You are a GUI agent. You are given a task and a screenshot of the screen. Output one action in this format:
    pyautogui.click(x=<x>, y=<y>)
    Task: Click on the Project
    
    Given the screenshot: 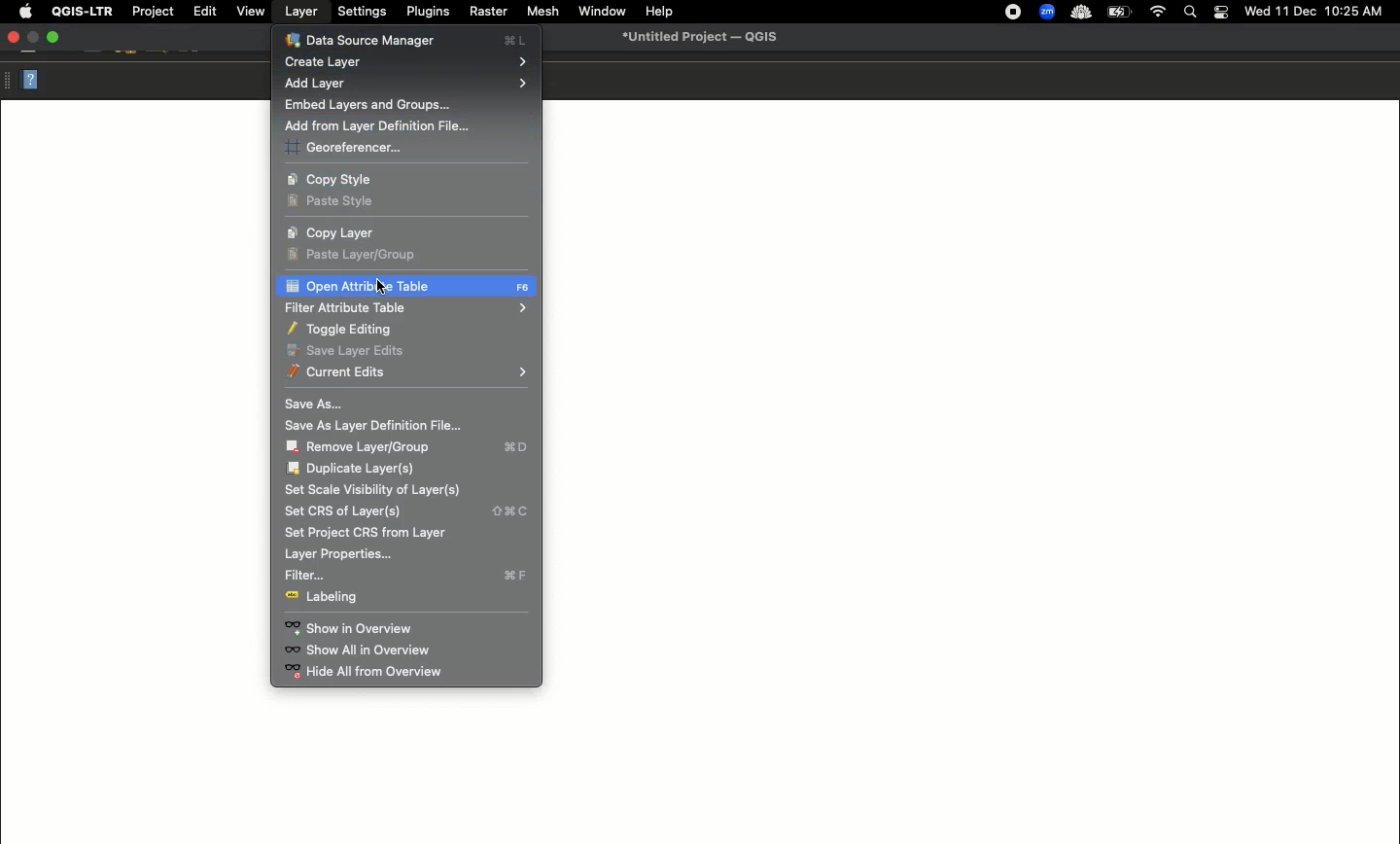 What is the action you would take?
    pyautogui.click(x=152, y=13)
    